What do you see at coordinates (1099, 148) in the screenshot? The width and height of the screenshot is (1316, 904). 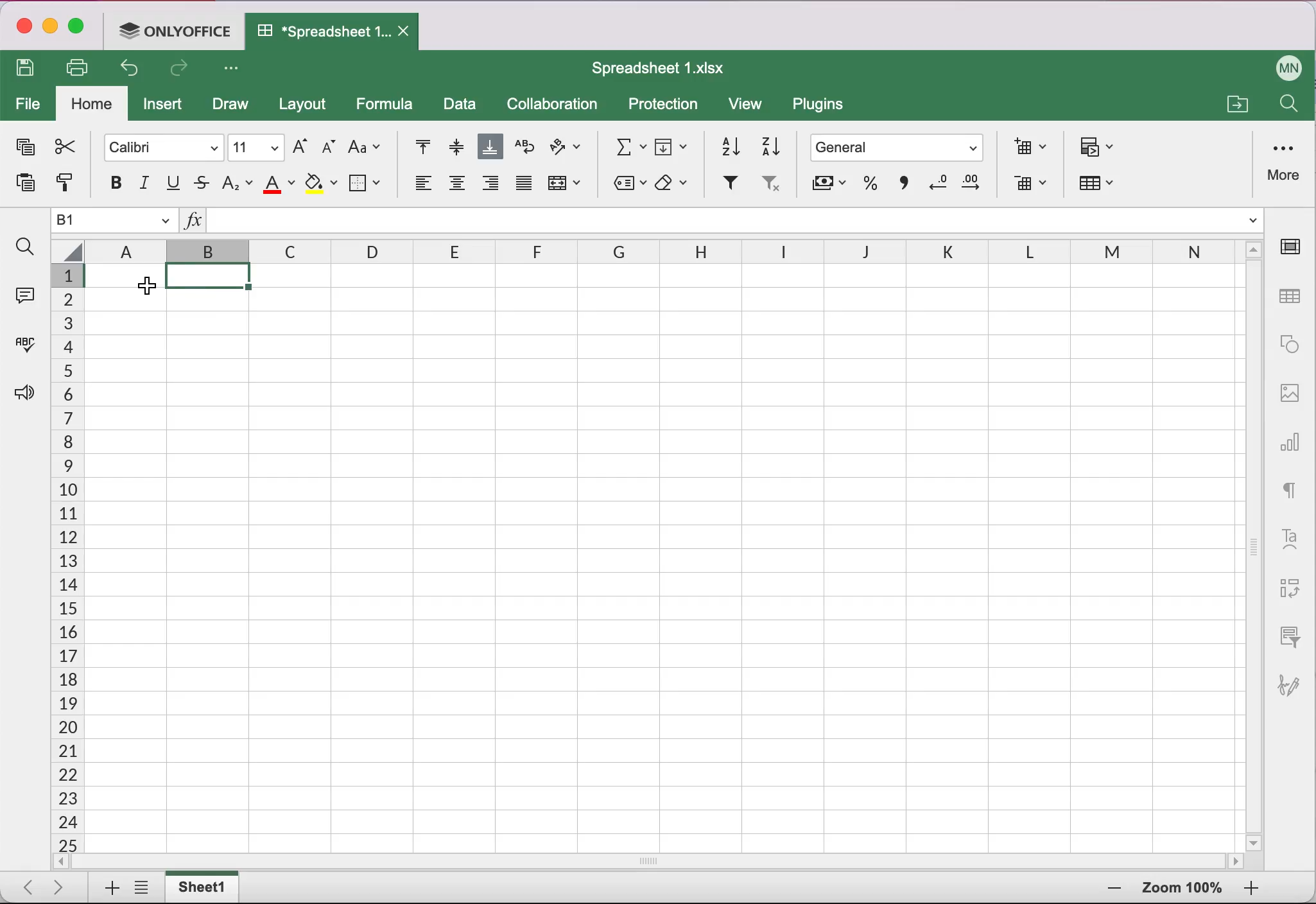 I see `conditional formatting` at bounding box center [1099, 148].